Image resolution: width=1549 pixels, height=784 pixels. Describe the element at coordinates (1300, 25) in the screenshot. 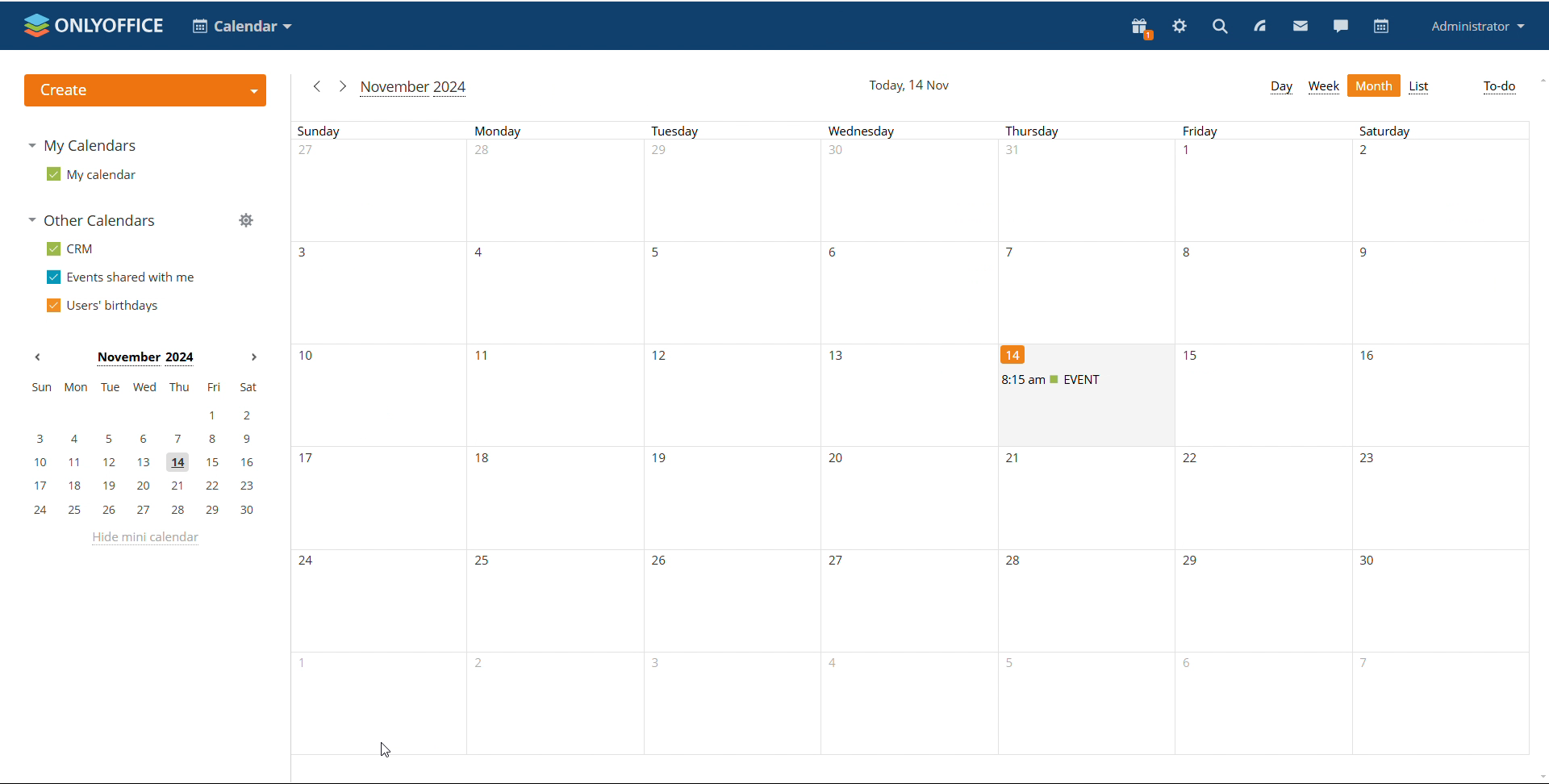

I see `mail` at that location.